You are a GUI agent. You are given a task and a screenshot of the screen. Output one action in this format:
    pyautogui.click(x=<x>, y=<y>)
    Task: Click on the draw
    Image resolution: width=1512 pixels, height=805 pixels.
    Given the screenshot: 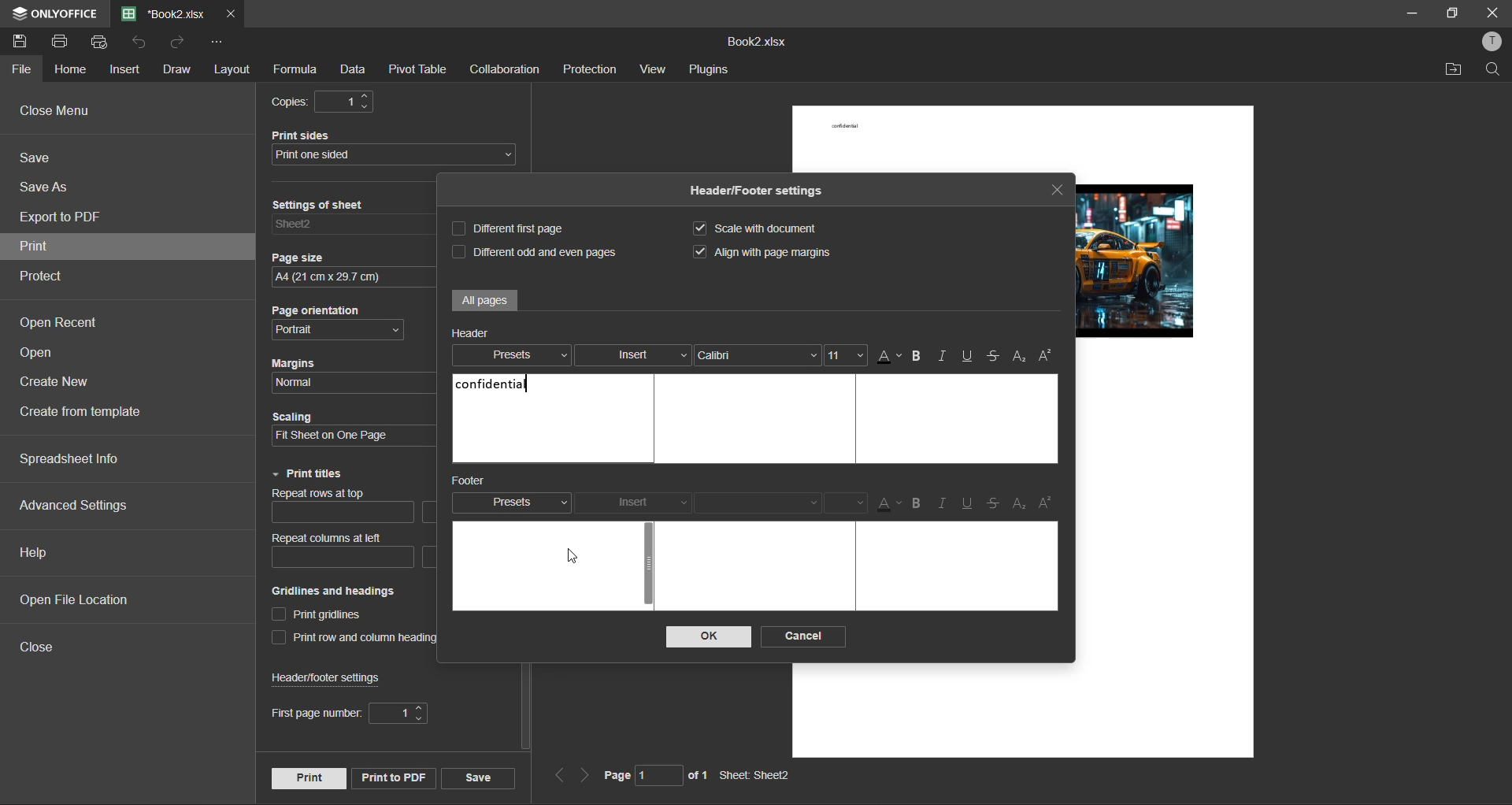 What is the action you would take?
    pyautogui.click(x=177, y=71)
    